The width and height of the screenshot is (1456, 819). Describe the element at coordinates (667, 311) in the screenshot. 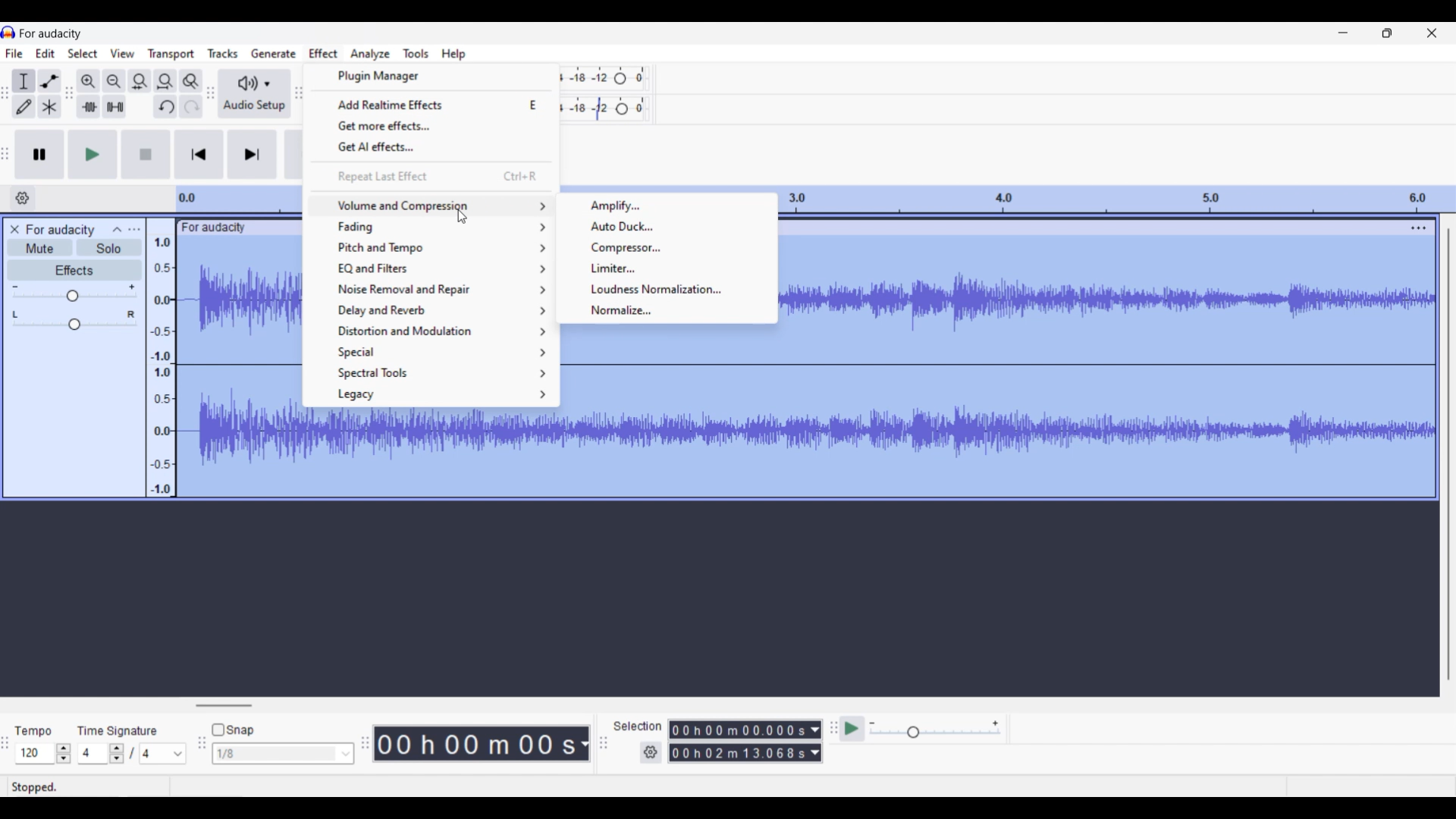

I see `Normalize` at that location.